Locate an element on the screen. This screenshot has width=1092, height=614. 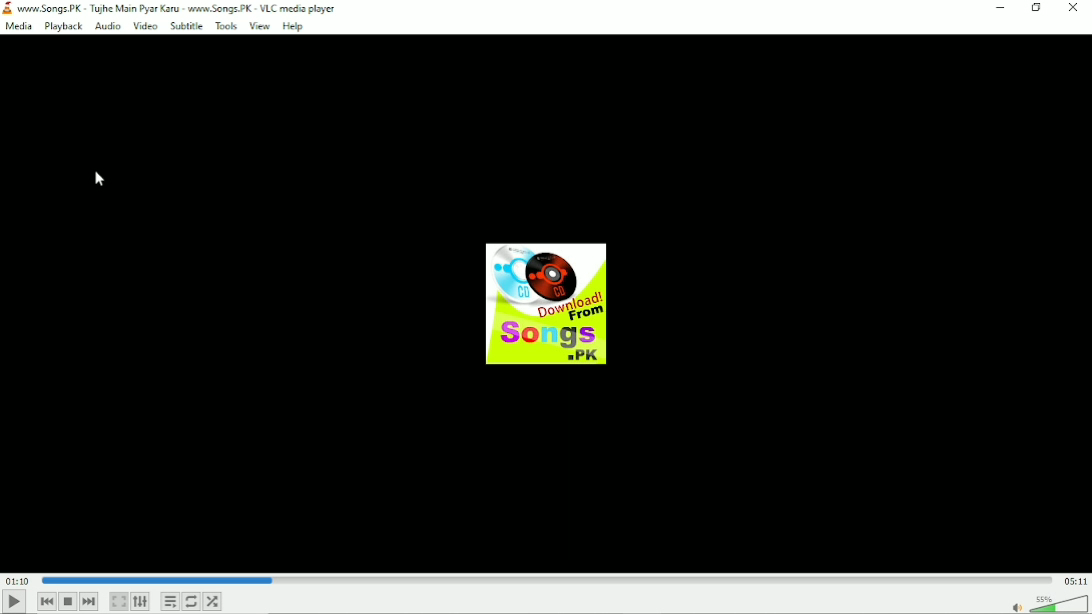
Elapsed time is located at coordinates (15, 580).